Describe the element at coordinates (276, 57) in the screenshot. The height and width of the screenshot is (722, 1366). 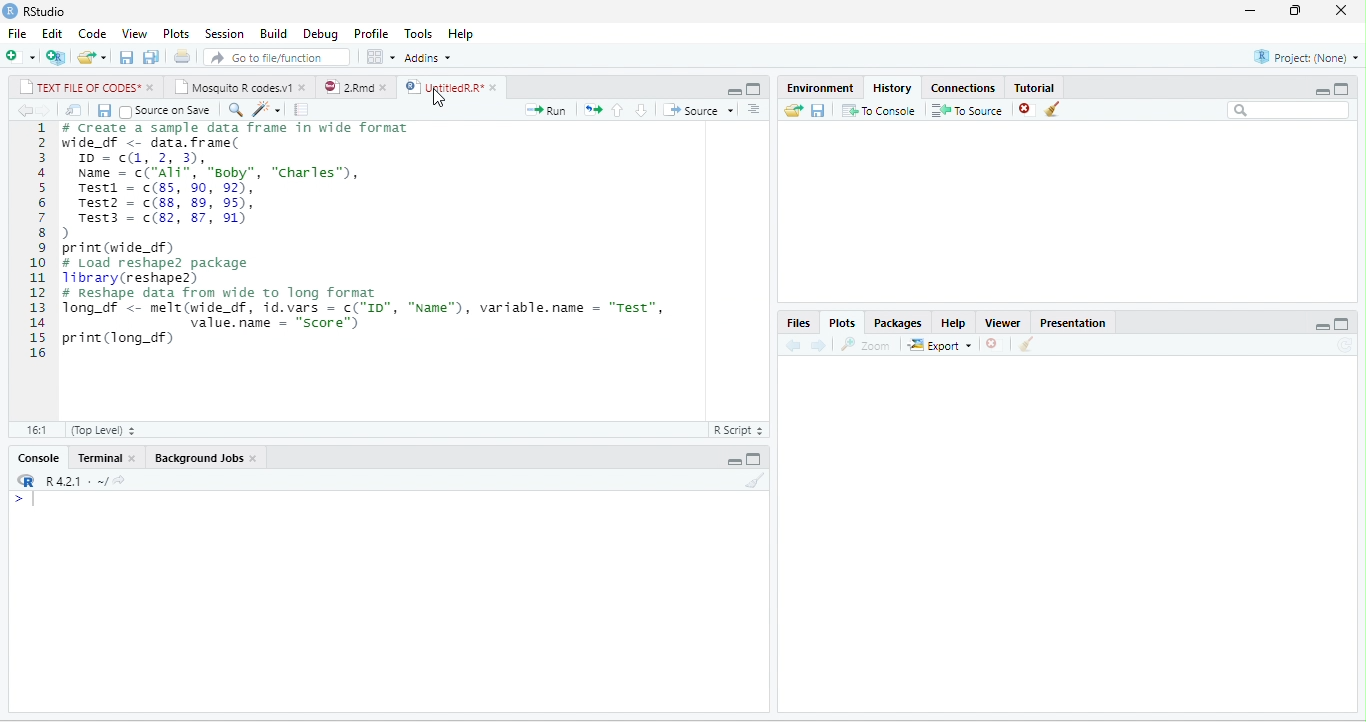
I see `search file` at that location.